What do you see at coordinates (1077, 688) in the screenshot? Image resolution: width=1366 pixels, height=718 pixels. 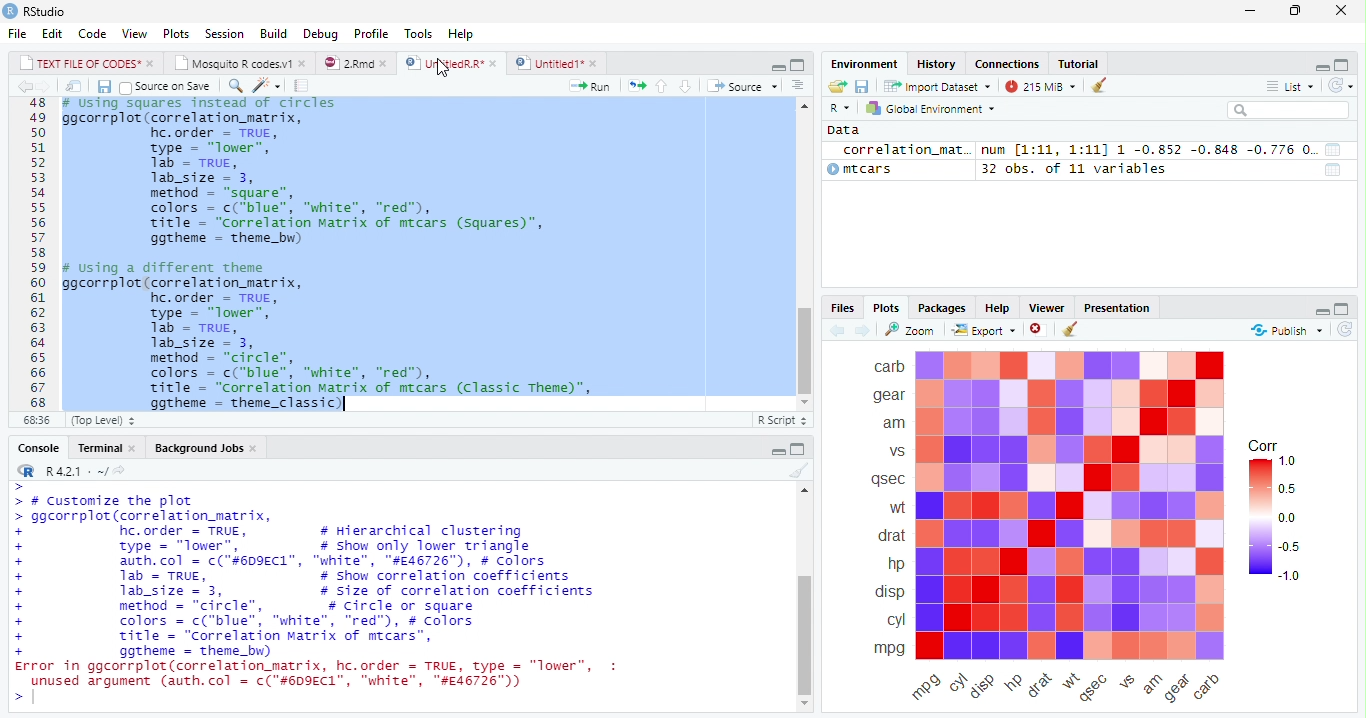 I see `mpg cyl disp hp drat wt qsec vs am gear carb` at bounding box center [1077, 688].